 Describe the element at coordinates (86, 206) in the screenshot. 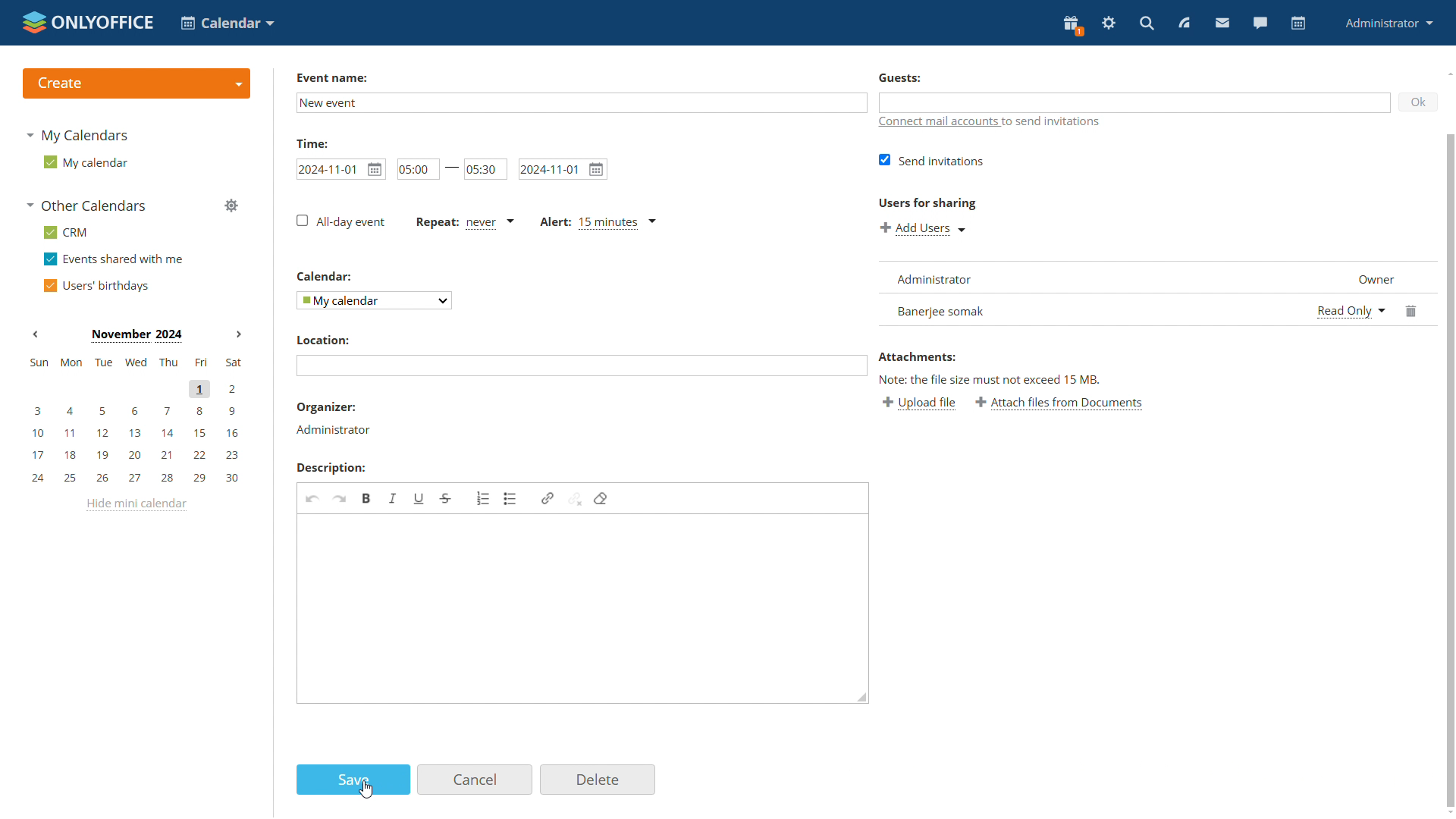

I see `other calendars` at that location.